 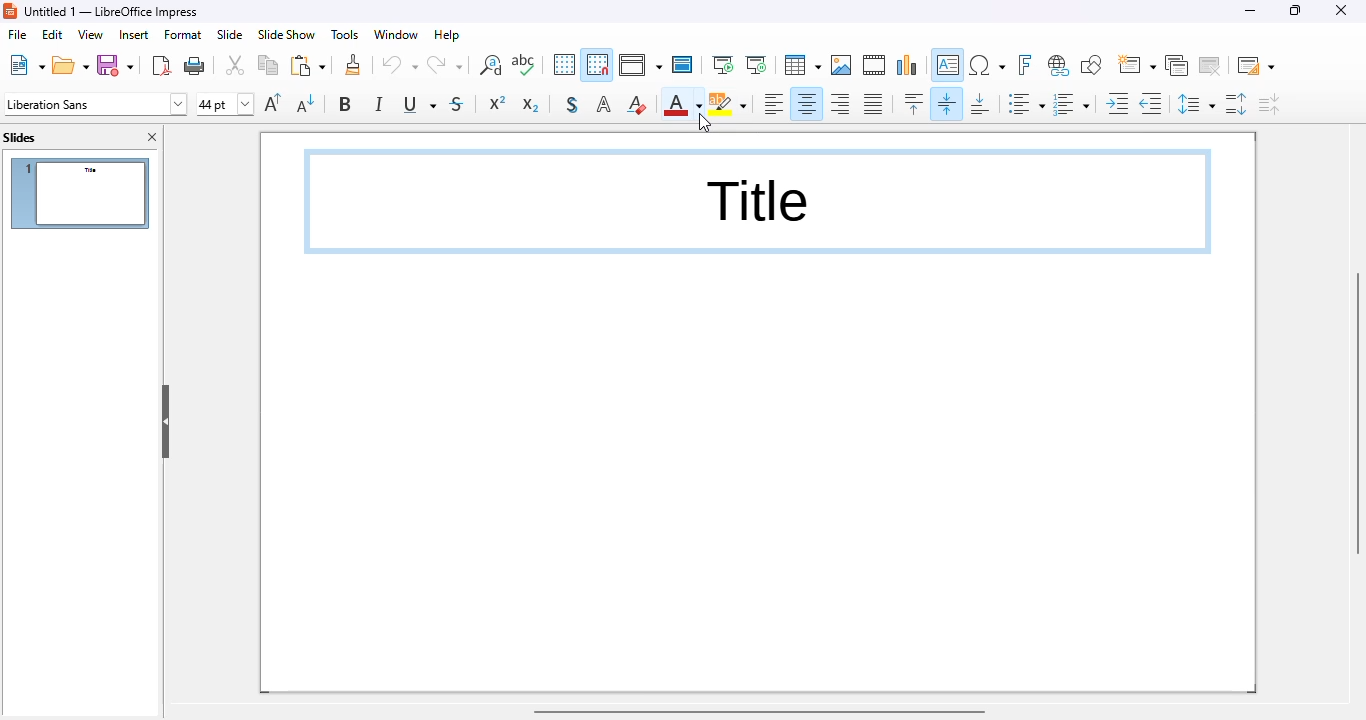 I want to click on align top, so click(x=914, y=103).